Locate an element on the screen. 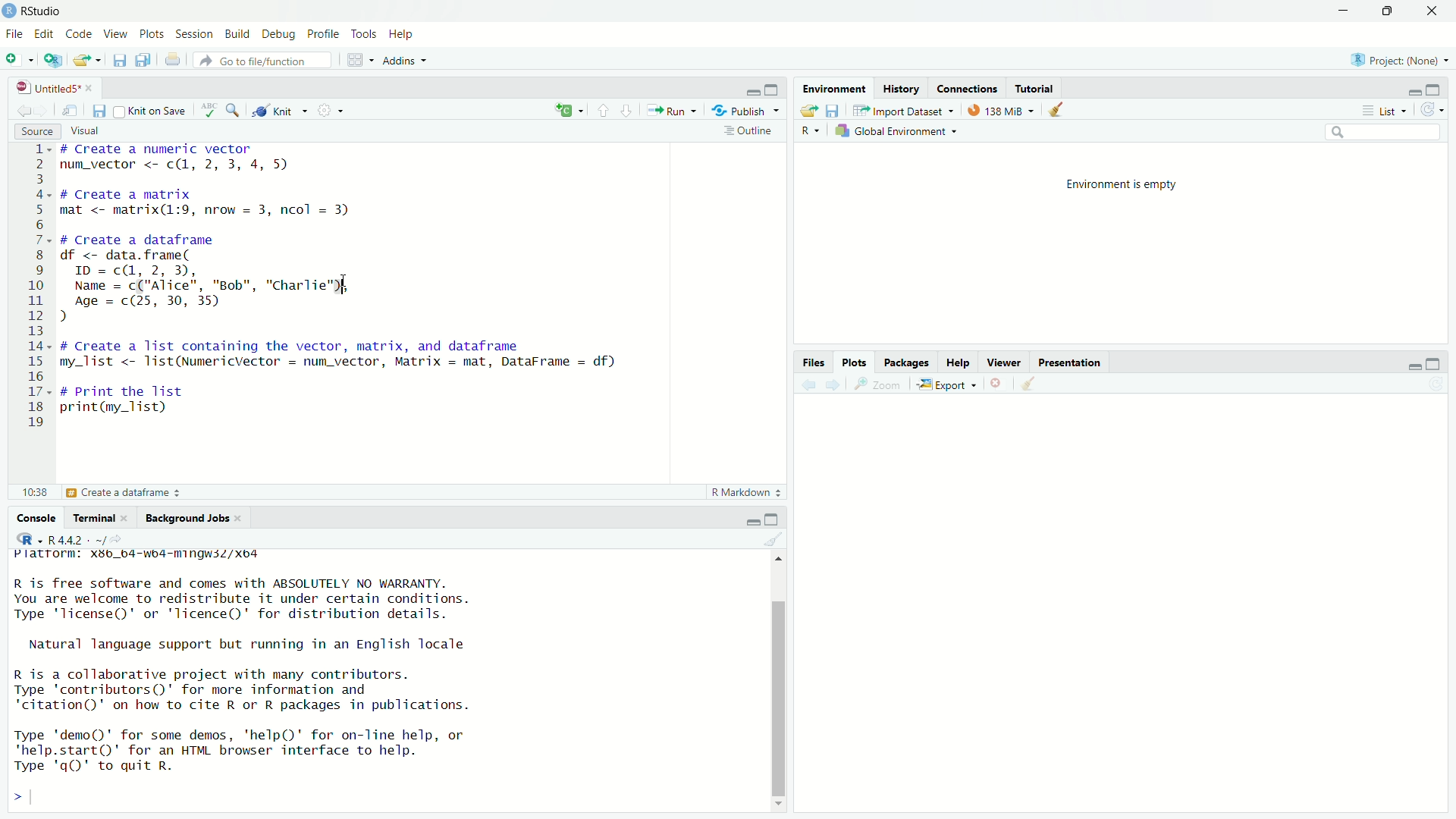 The image size is (1456, 819). save is located at coordinates (118, 63).